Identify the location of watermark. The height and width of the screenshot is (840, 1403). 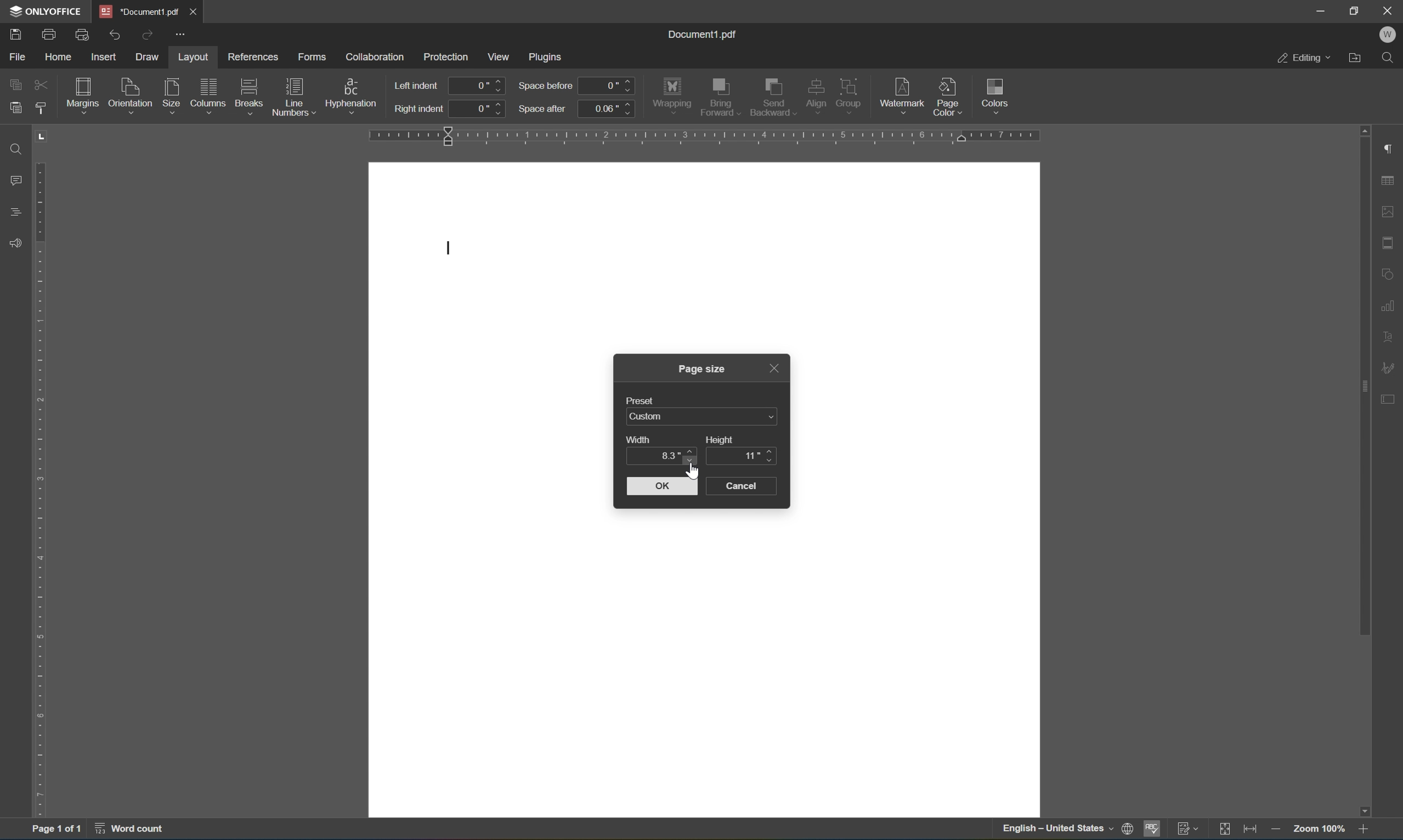
(901, 92).